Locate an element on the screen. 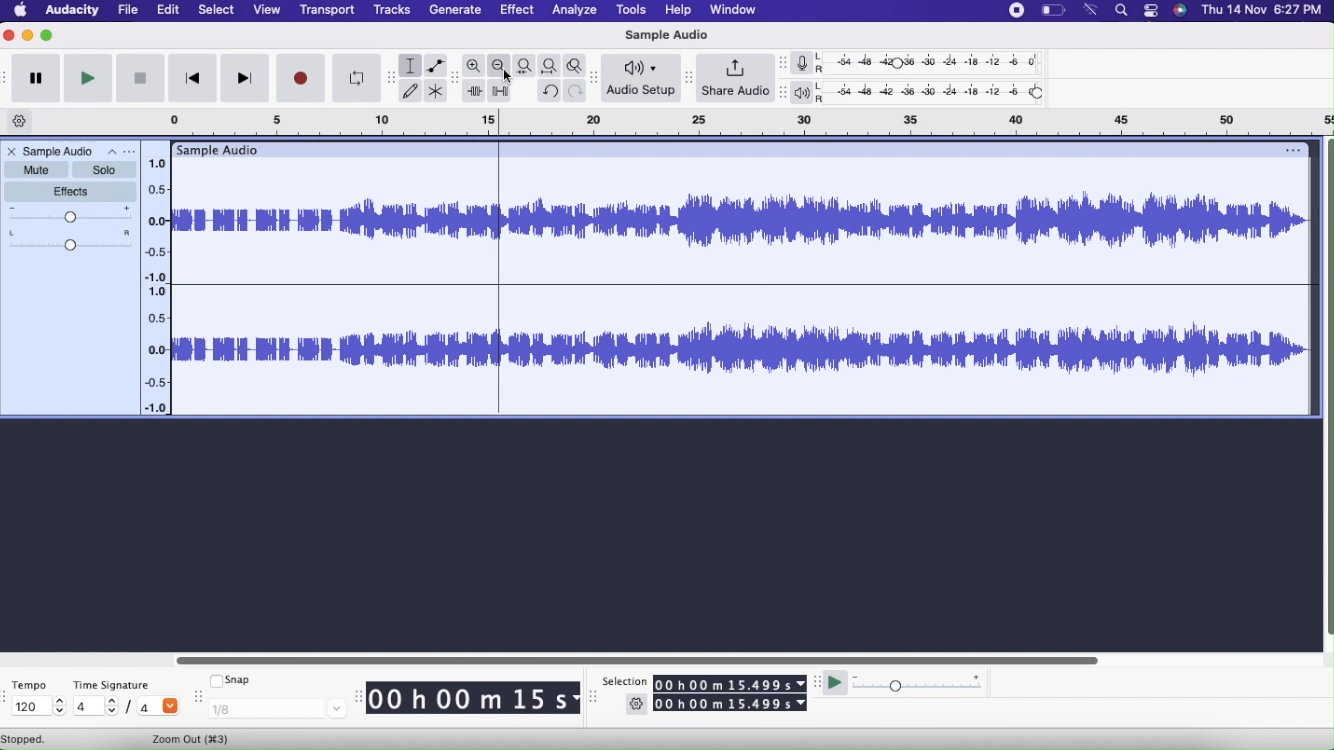 The image size is (1334, 750). 00 h 00 m 15.499 s is located at coordinates (731, 704).